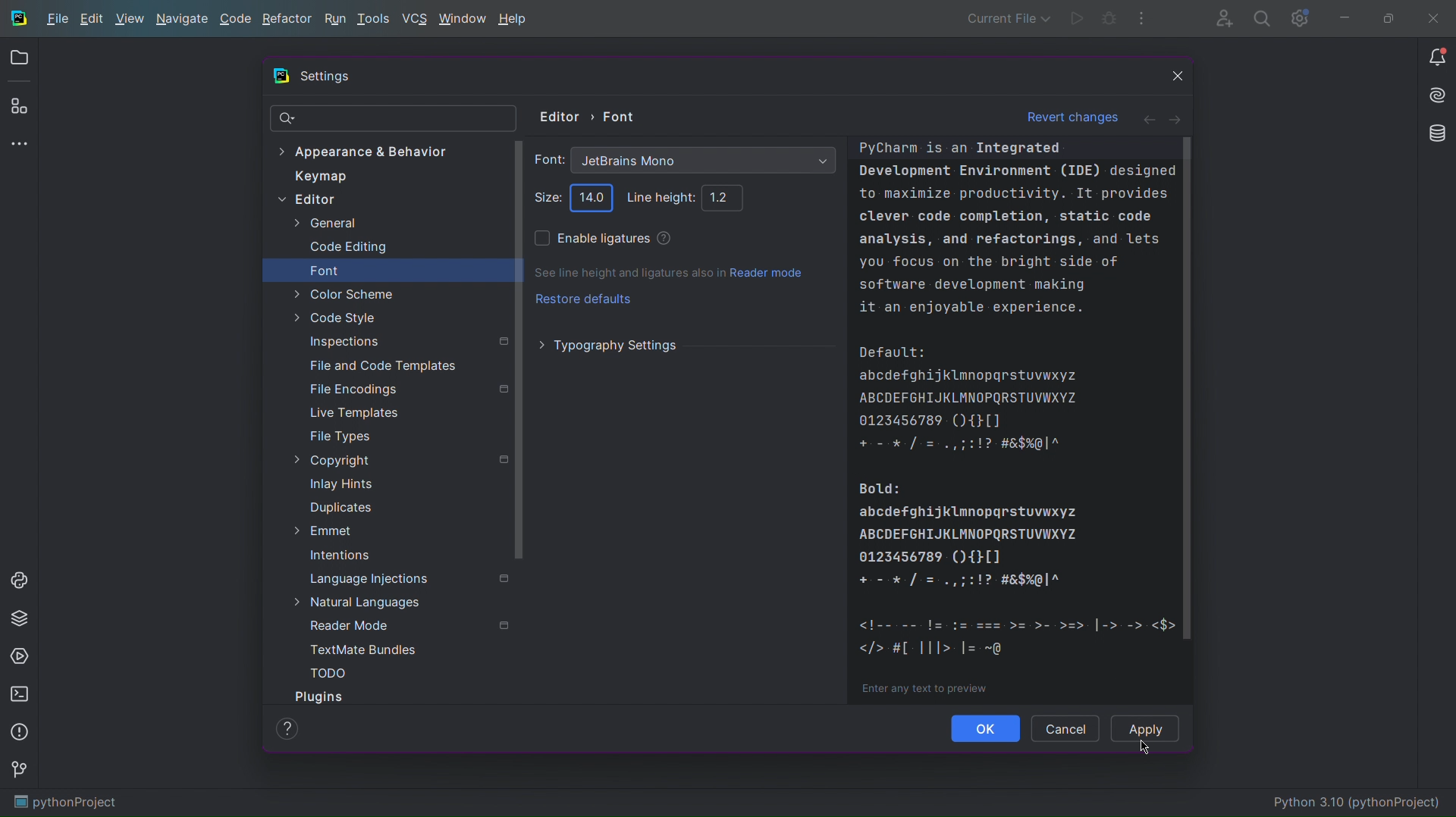  Describe the element at coordinates (320, 224) in the screenshot. I see `General` at that location.